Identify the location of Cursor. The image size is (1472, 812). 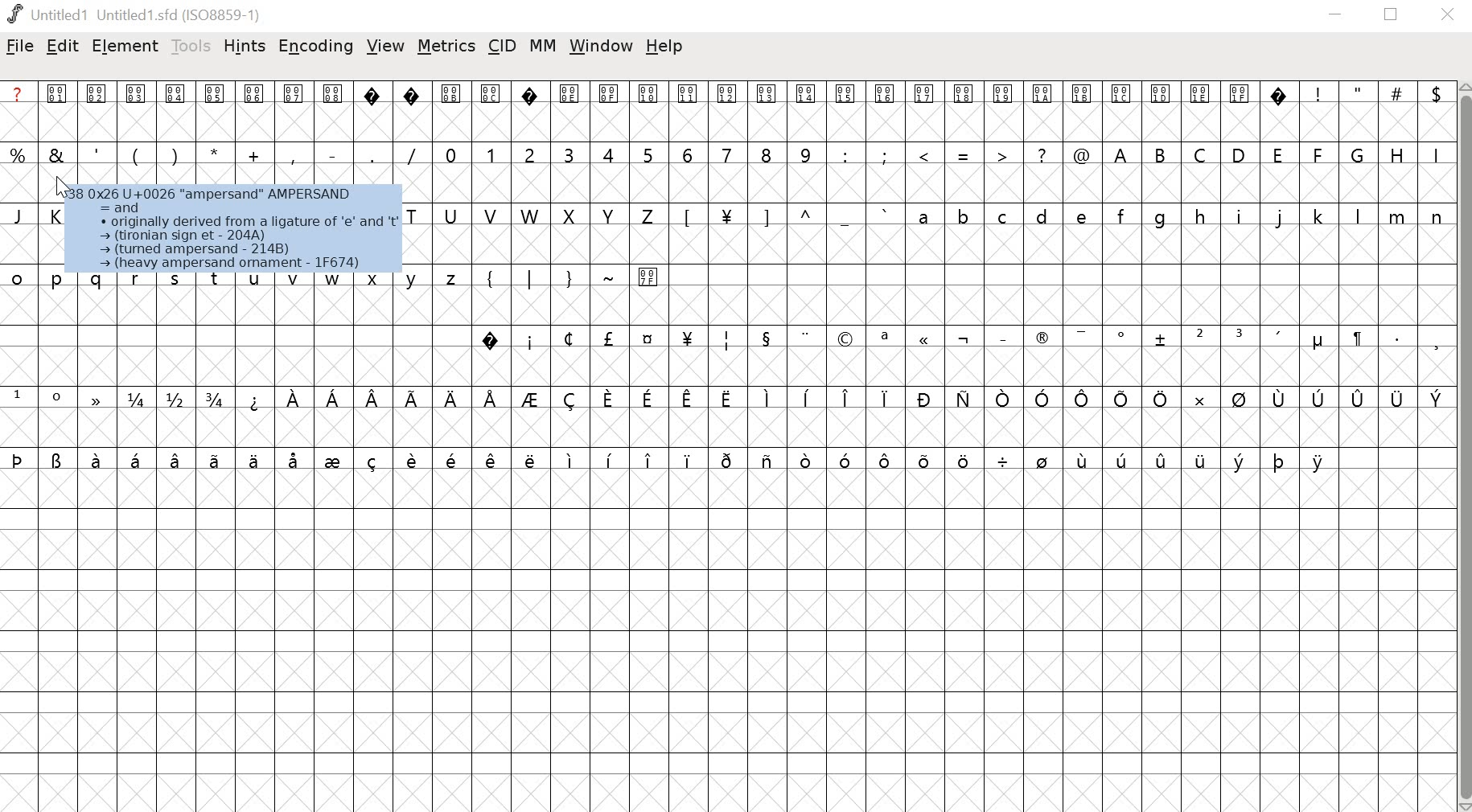
(64, 185).